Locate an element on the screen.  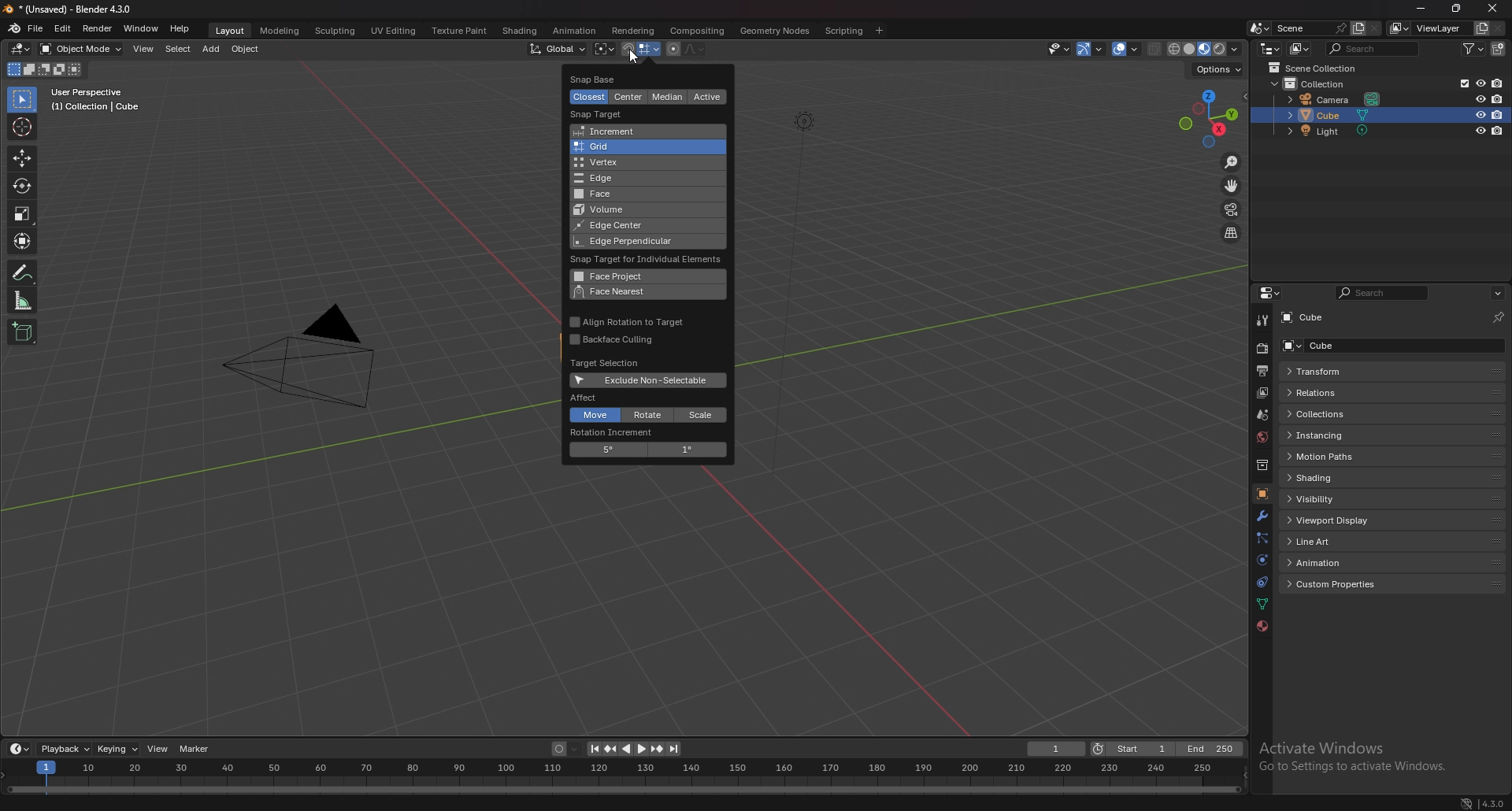
auto keying is located at coordinates (566, 749).